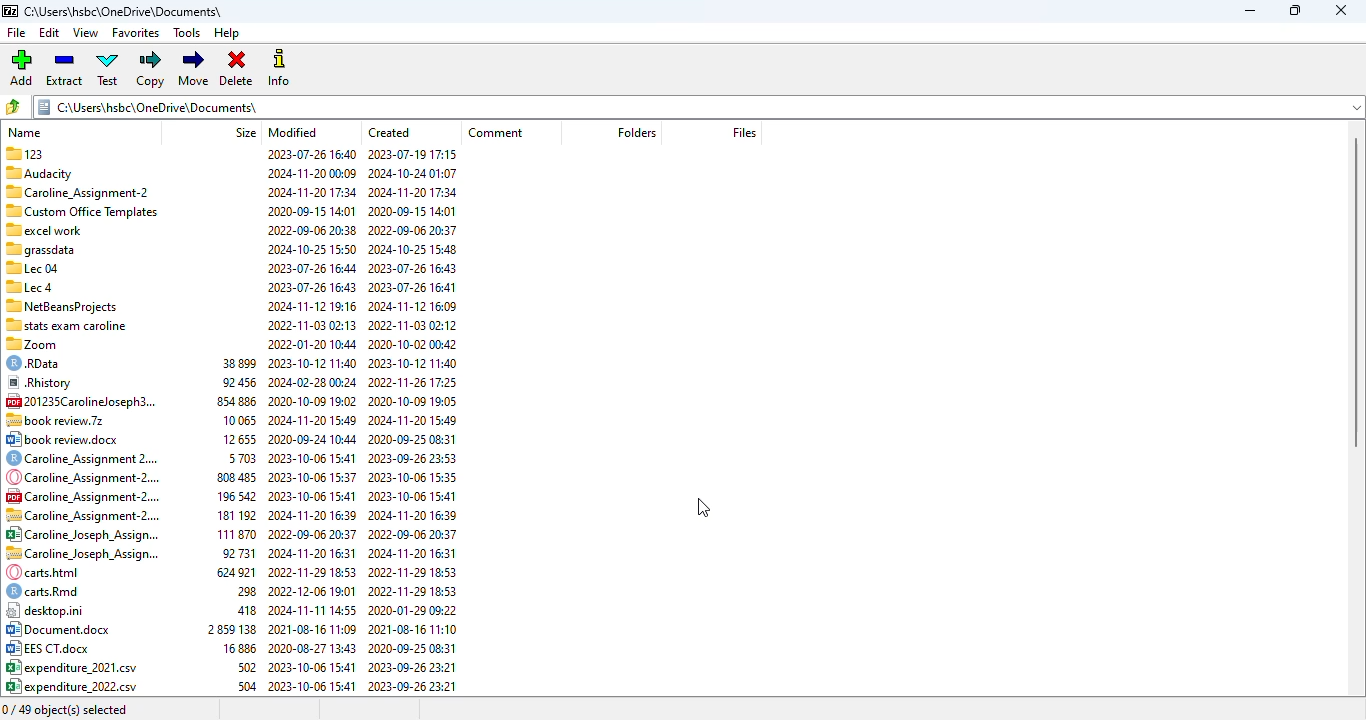 The width and height of the screenshot is (1366, 720). Describe the element at coordinates (229, 439) in the screenshot. I see `) Caroline_Assignment 2.... 5703 2023-10-06 15:41 2023-09-26 23:53` at that location.